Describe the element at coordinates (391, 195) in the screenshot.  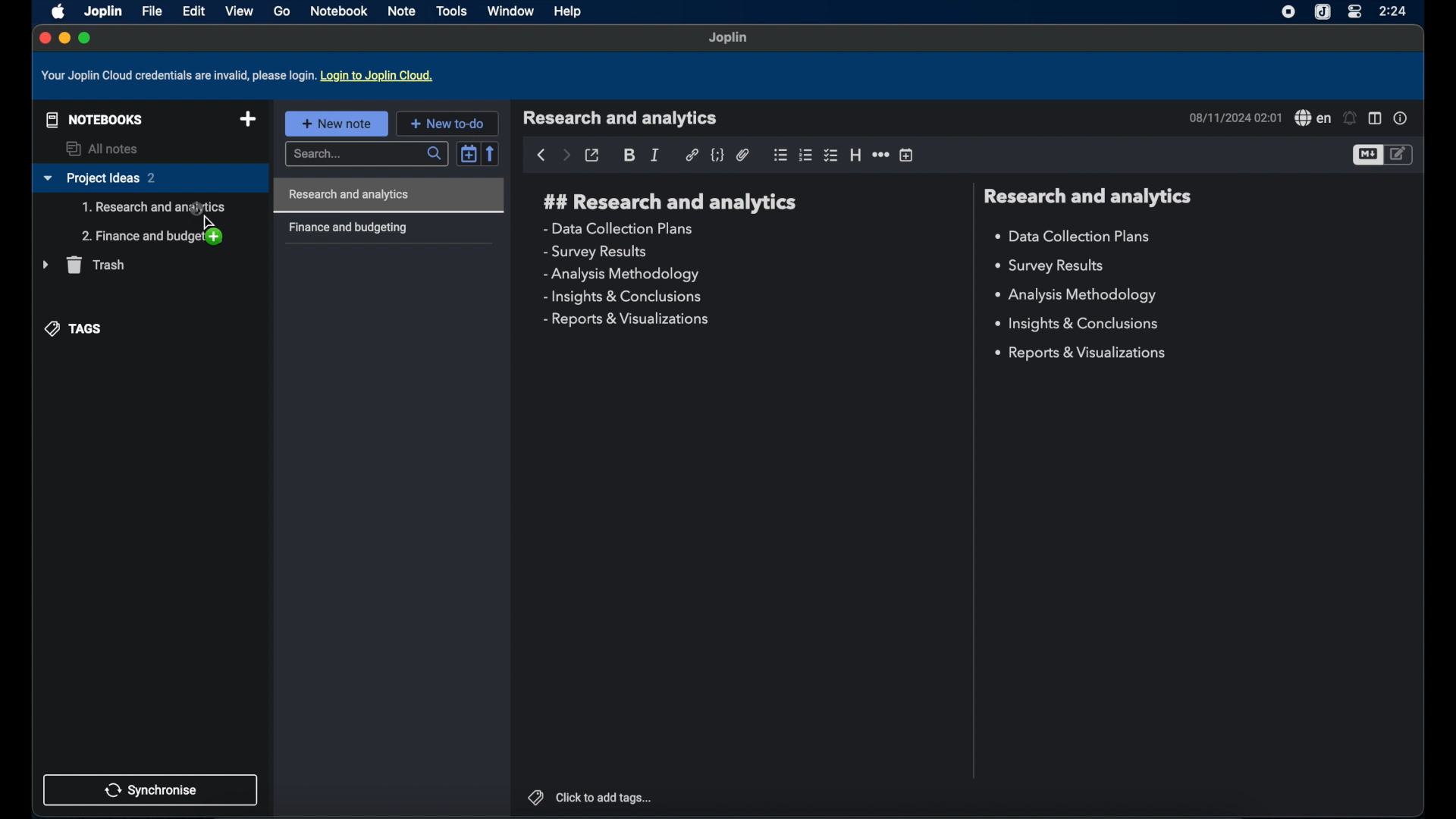
I see `research and analytics highlighted ` at that location.